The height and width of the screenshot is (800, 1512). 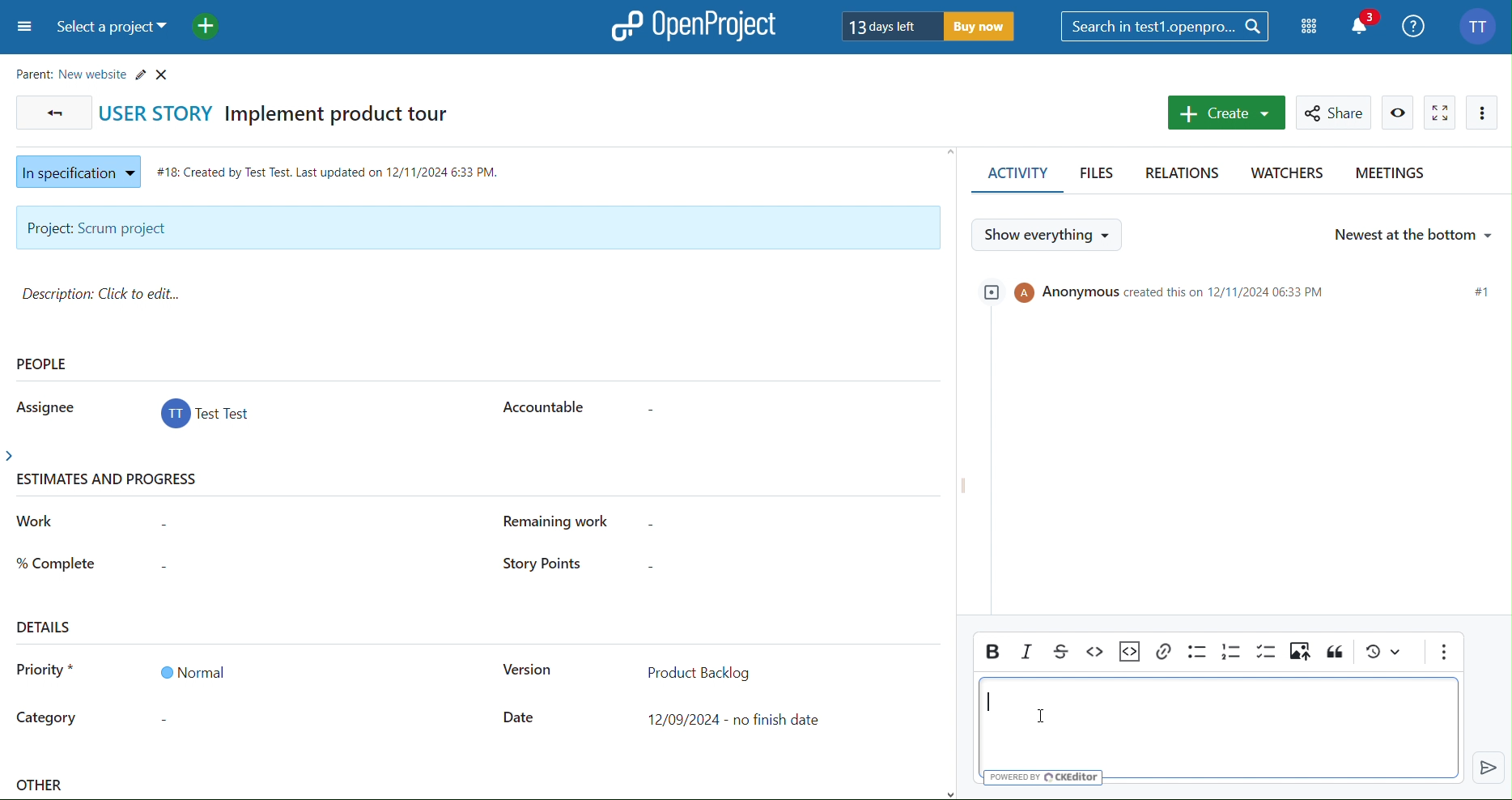 What do you see at coordinates (565, 521) in the screenshot?
I see `Remaining work` at bounding box center [565, 521].